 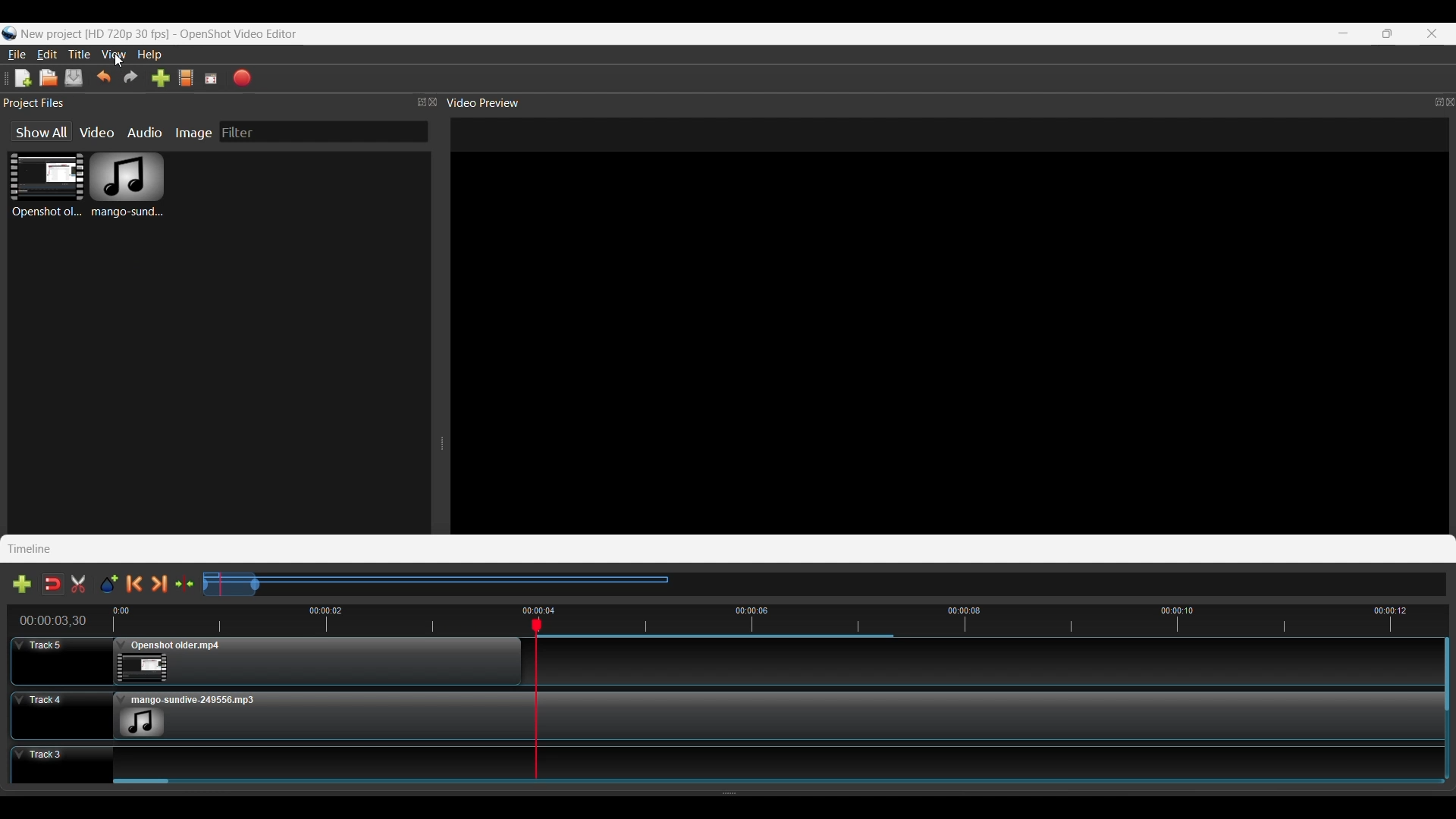 What do you see at coordinates (1446, 706) in the screenshot?
I see `Vertical Scroll Bar` at bounding box center [1446, 706].